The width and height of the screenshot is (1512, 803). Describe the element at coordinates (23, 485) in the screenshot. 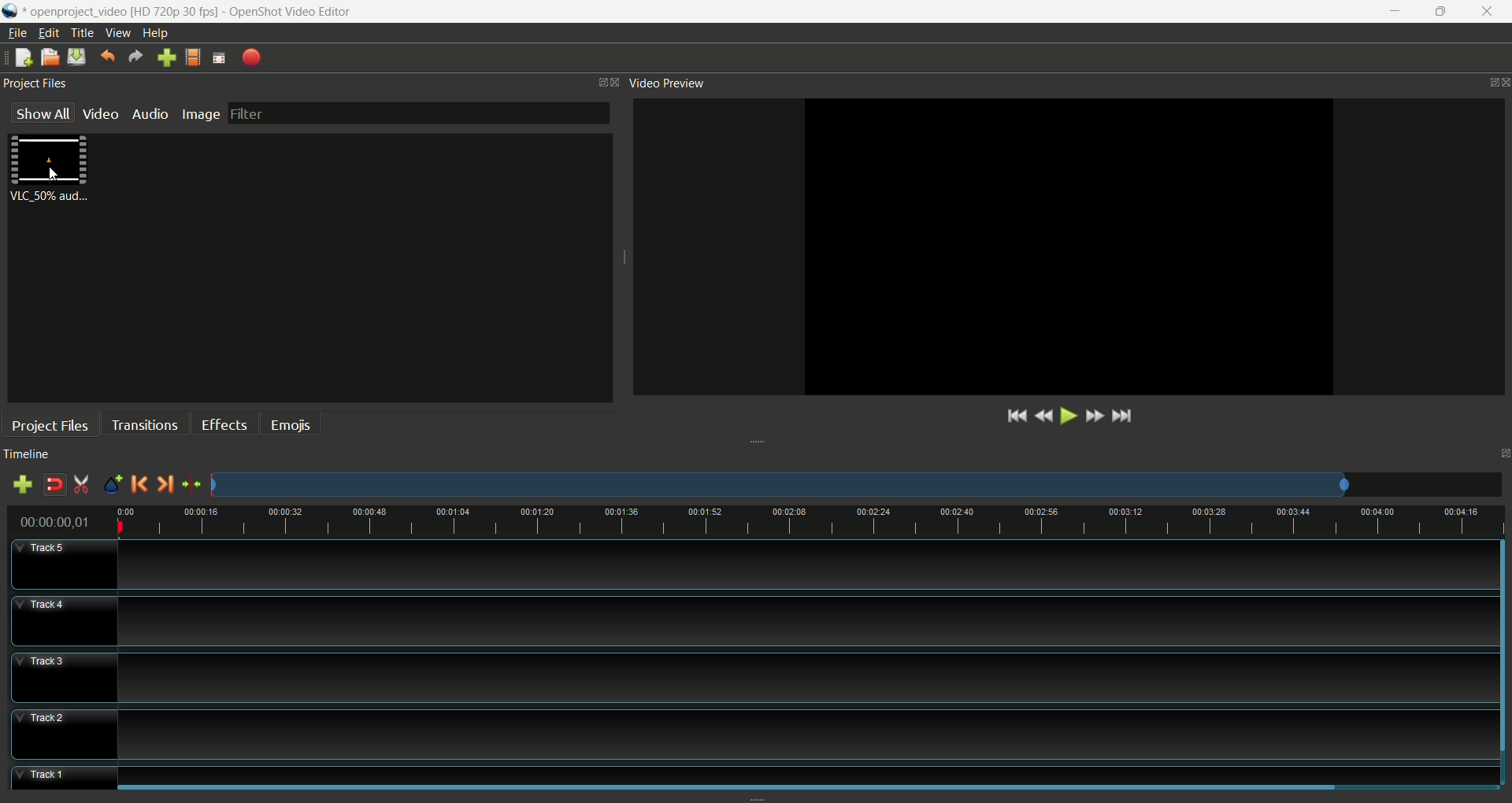

I see `add track` at that location.